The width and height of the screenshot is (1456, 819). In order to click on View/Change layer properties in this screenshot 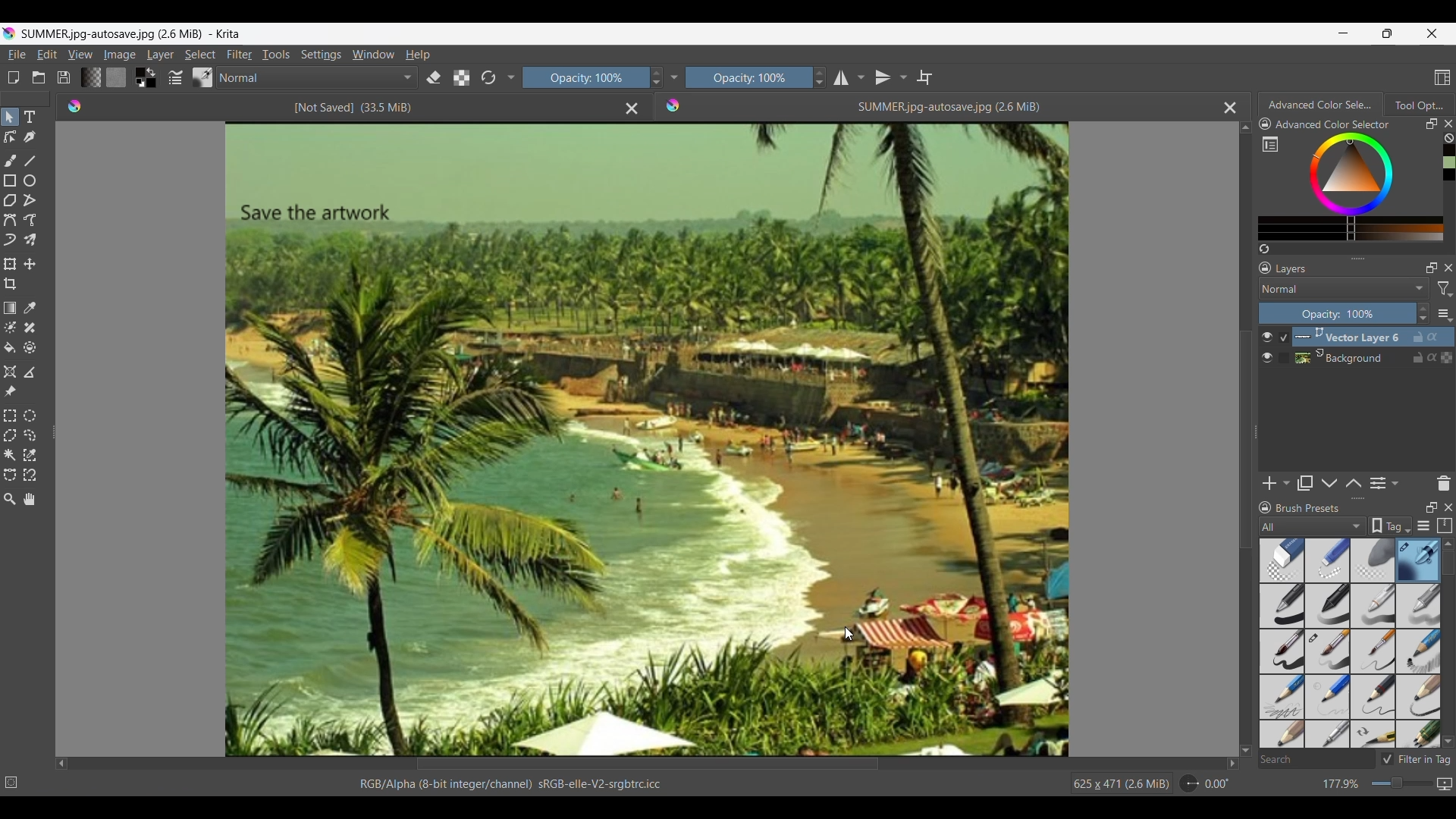, I will do `click(1384, 483)`.